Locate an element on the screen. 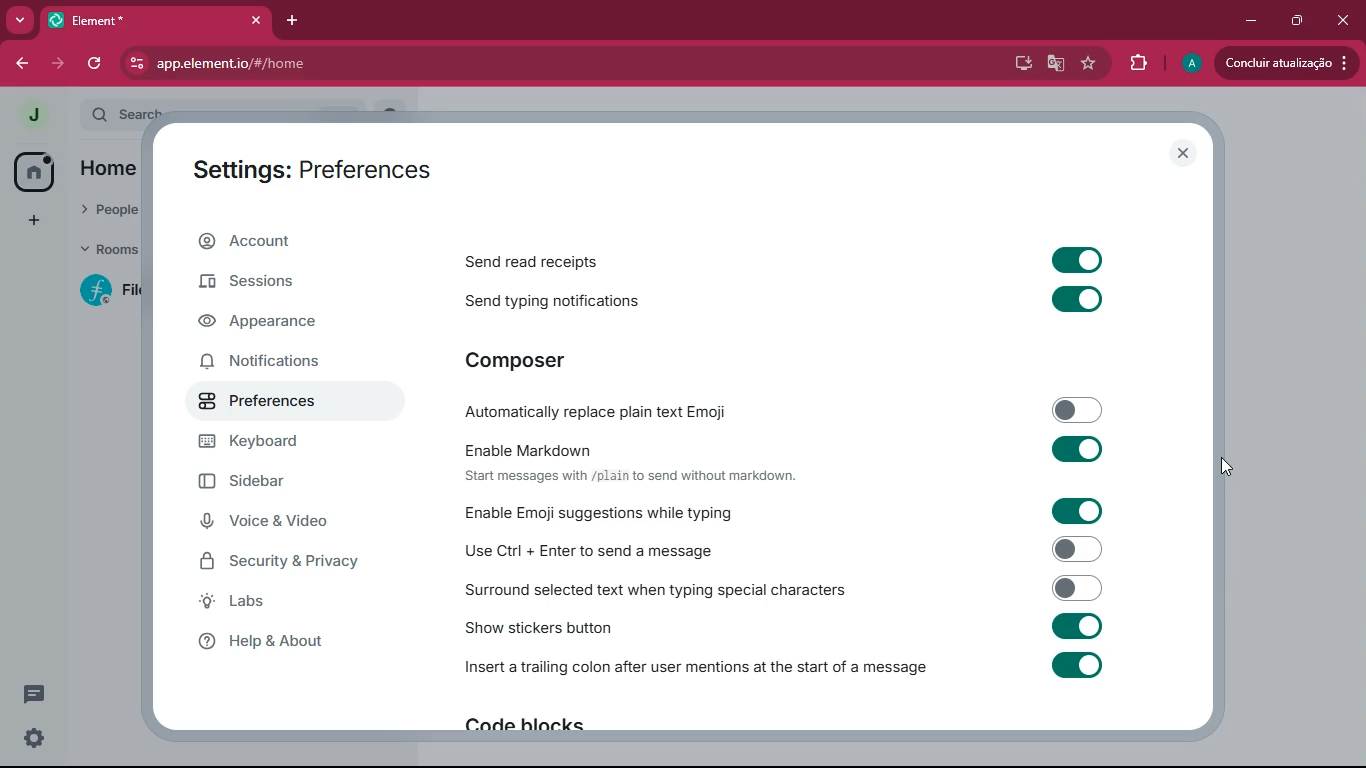 The image size is (1366, 768). sessions is located at coordinates (284, 284).